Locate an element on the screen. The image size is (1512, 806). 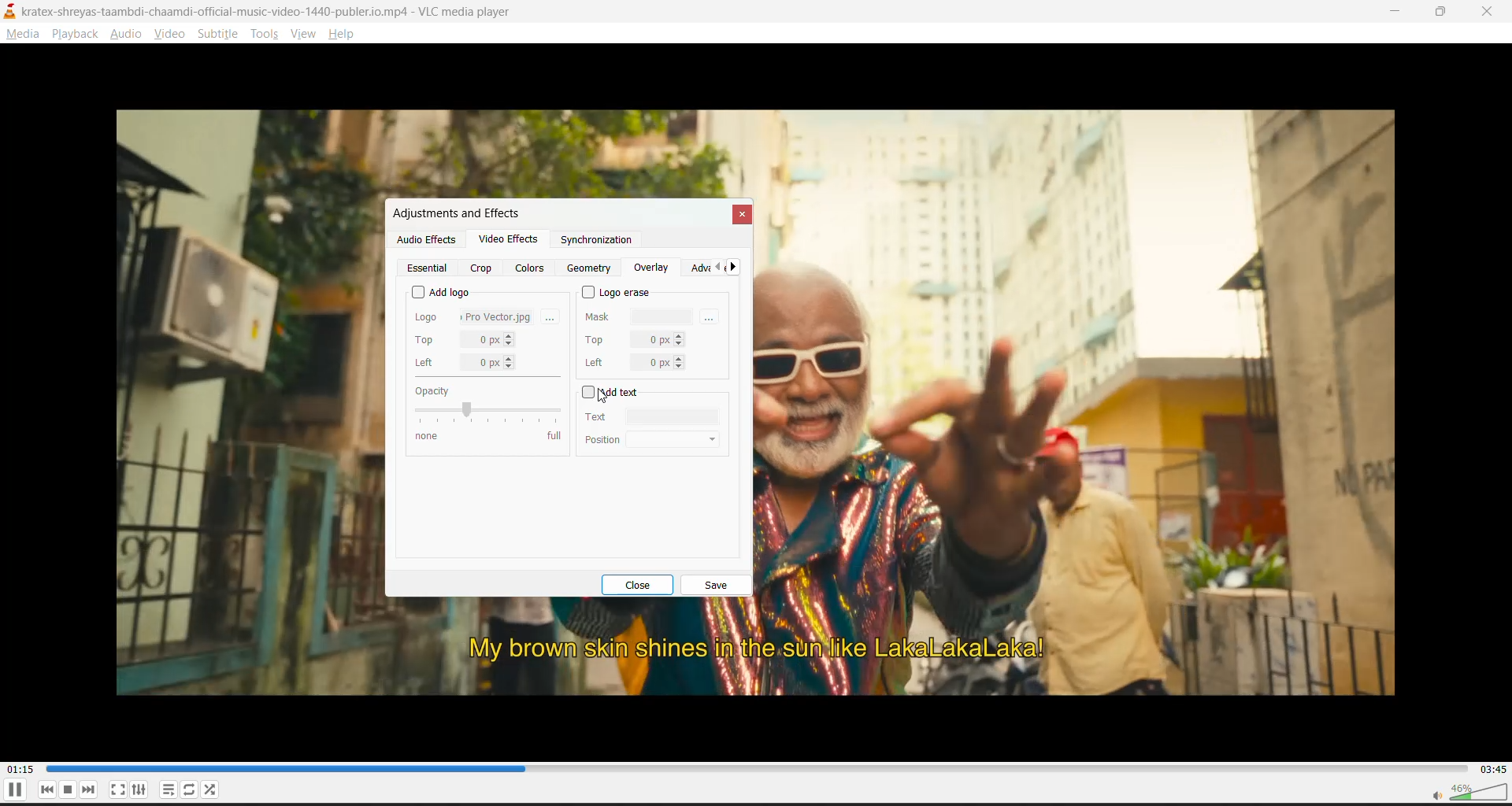
playlist is located at coordinates (166, 789).